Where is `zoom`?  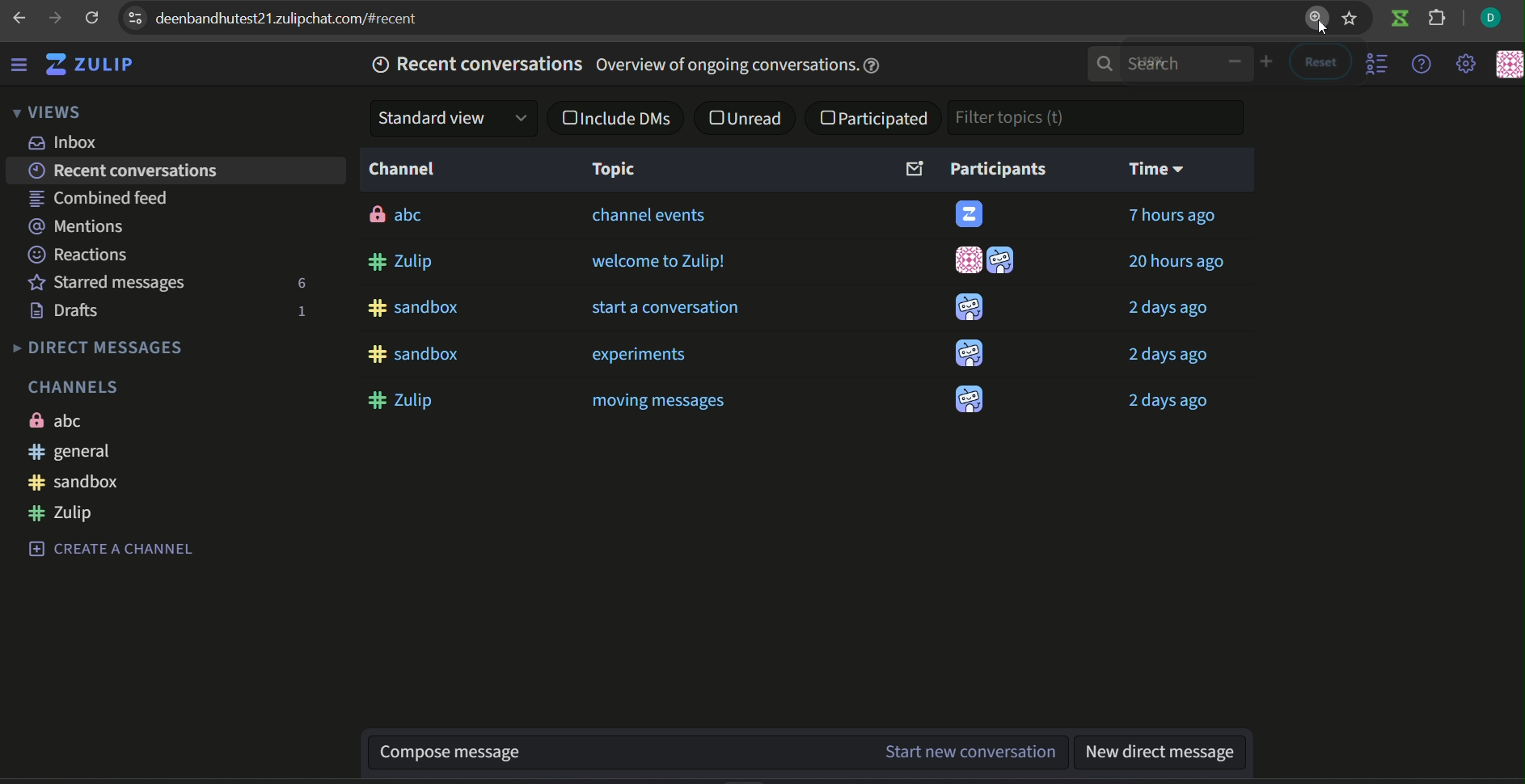 zoom is located at coordinates (1246, 63).